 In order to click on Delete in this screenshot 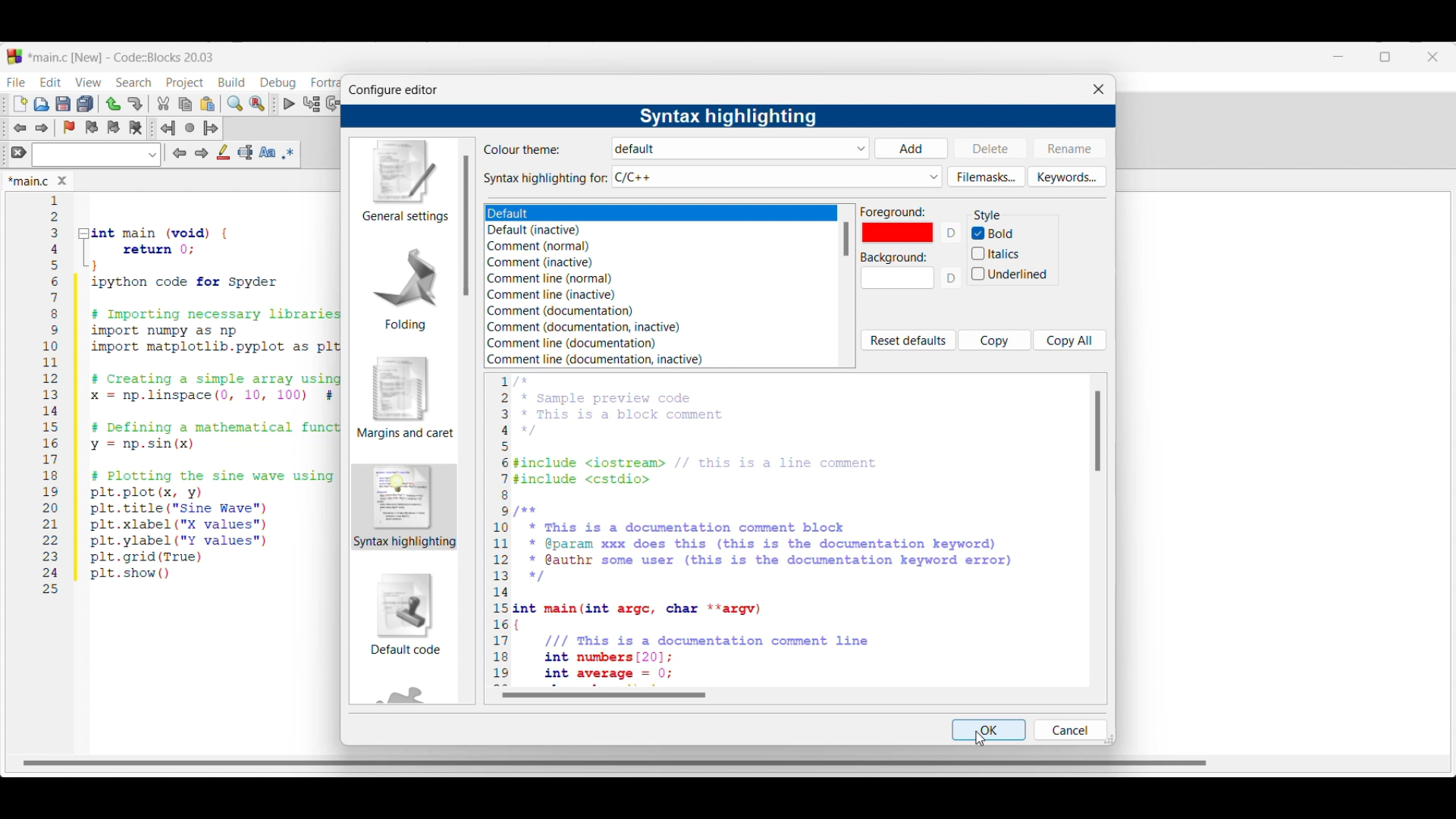, I will do `click(991, 147)`.